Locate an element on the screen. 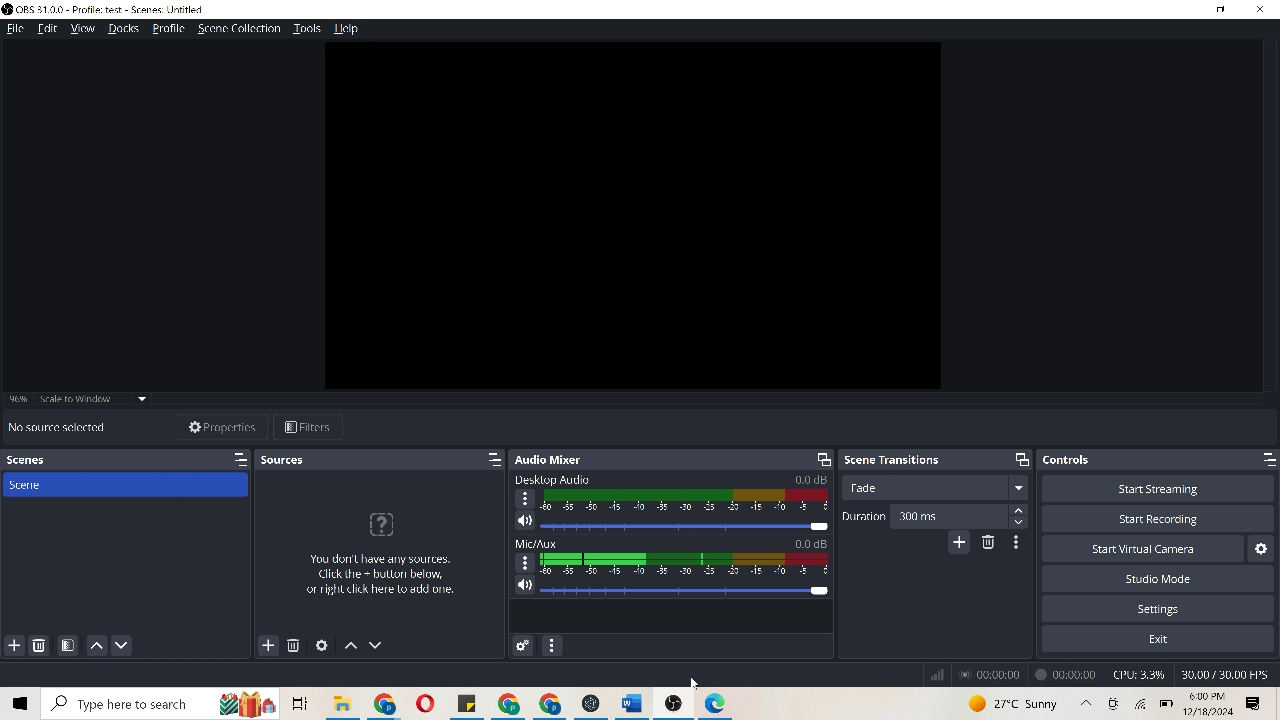  remove is located at coordinates (992, 545).